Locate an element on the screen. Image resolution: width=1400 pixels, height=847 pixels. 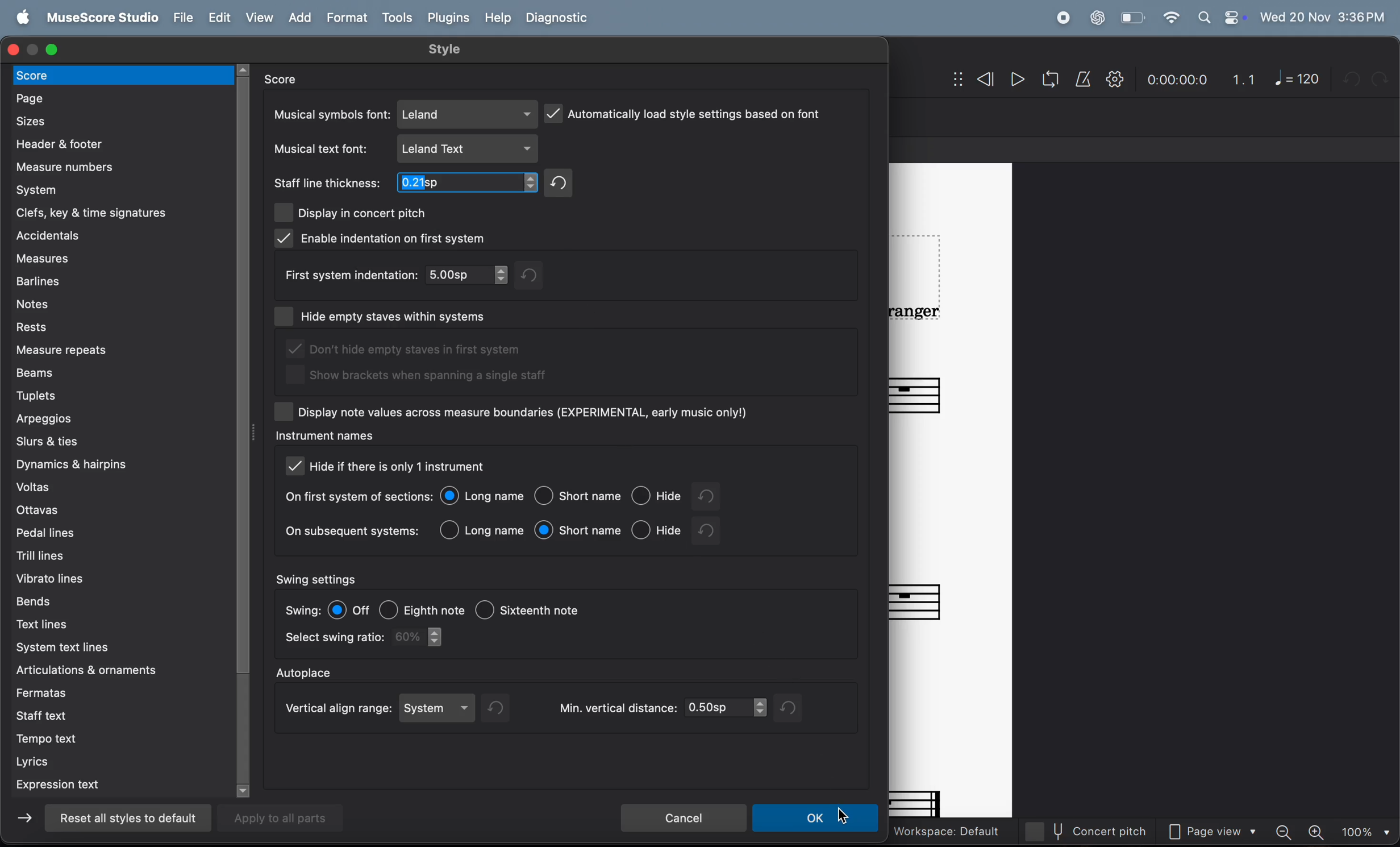
voltas is located at coordinates (118, 488).